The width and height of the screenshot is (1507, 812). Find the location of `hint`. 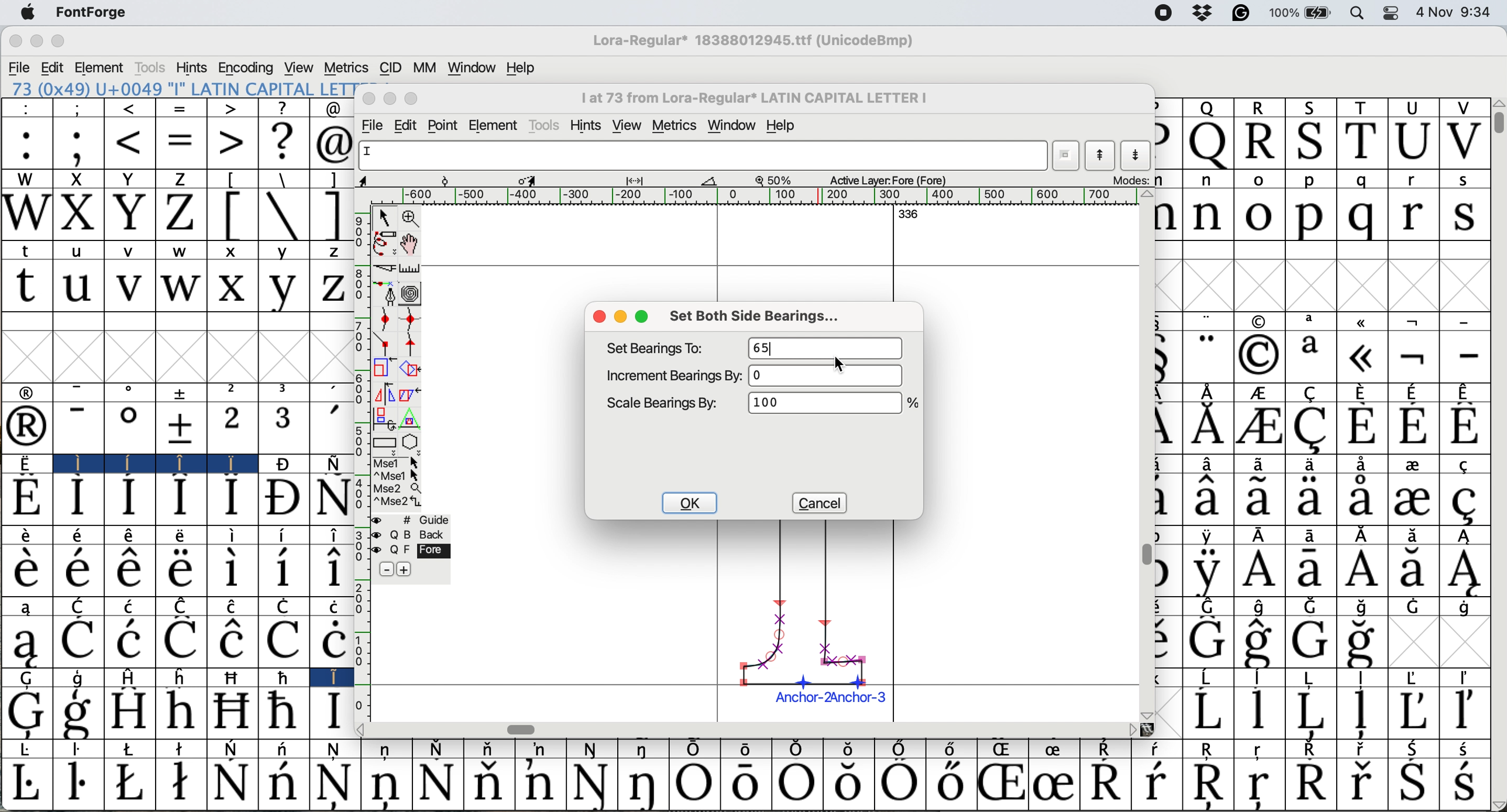

hint is located at coordinates (586, 125).